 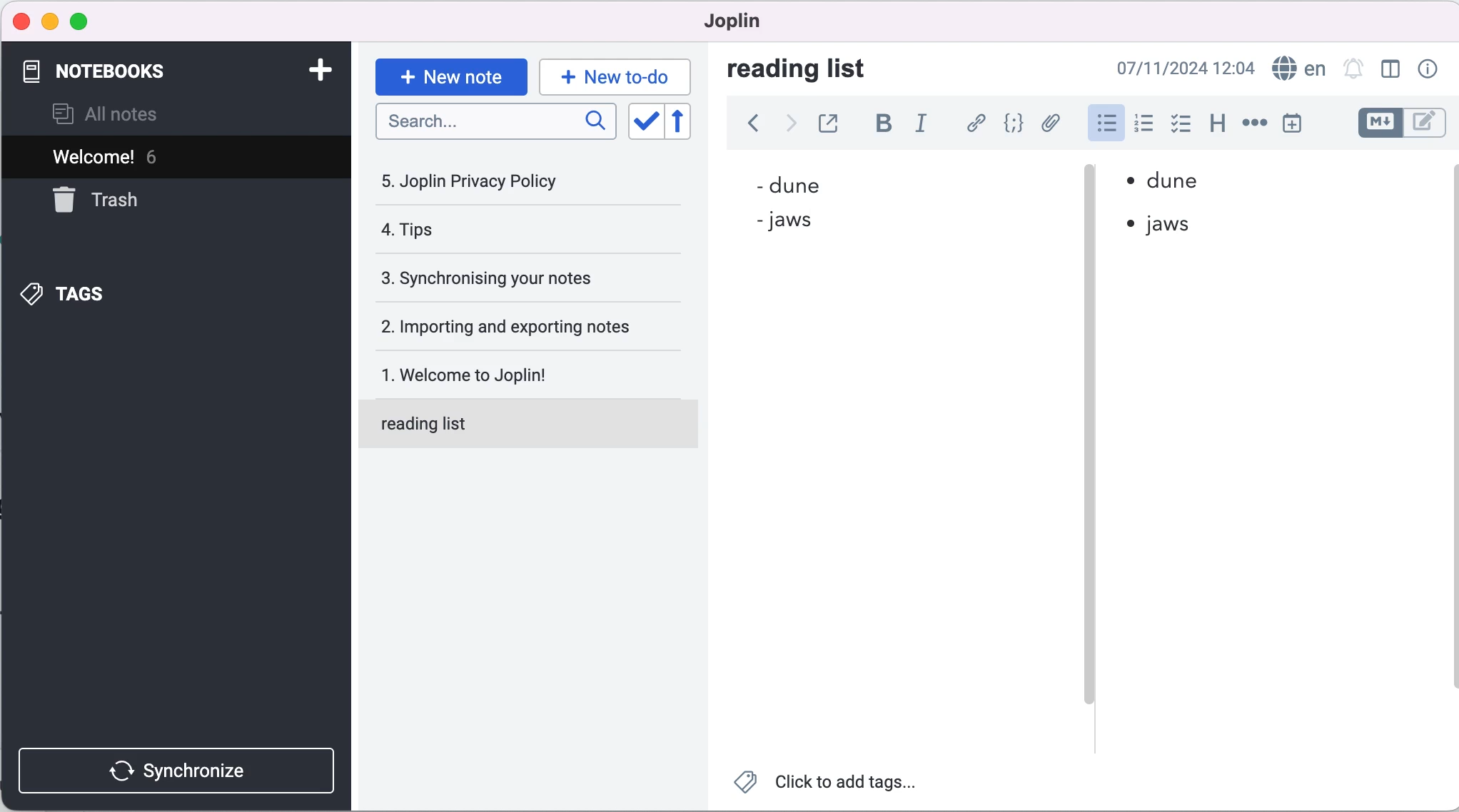 I want to click on set alarm, so click(x=1353, y=69).